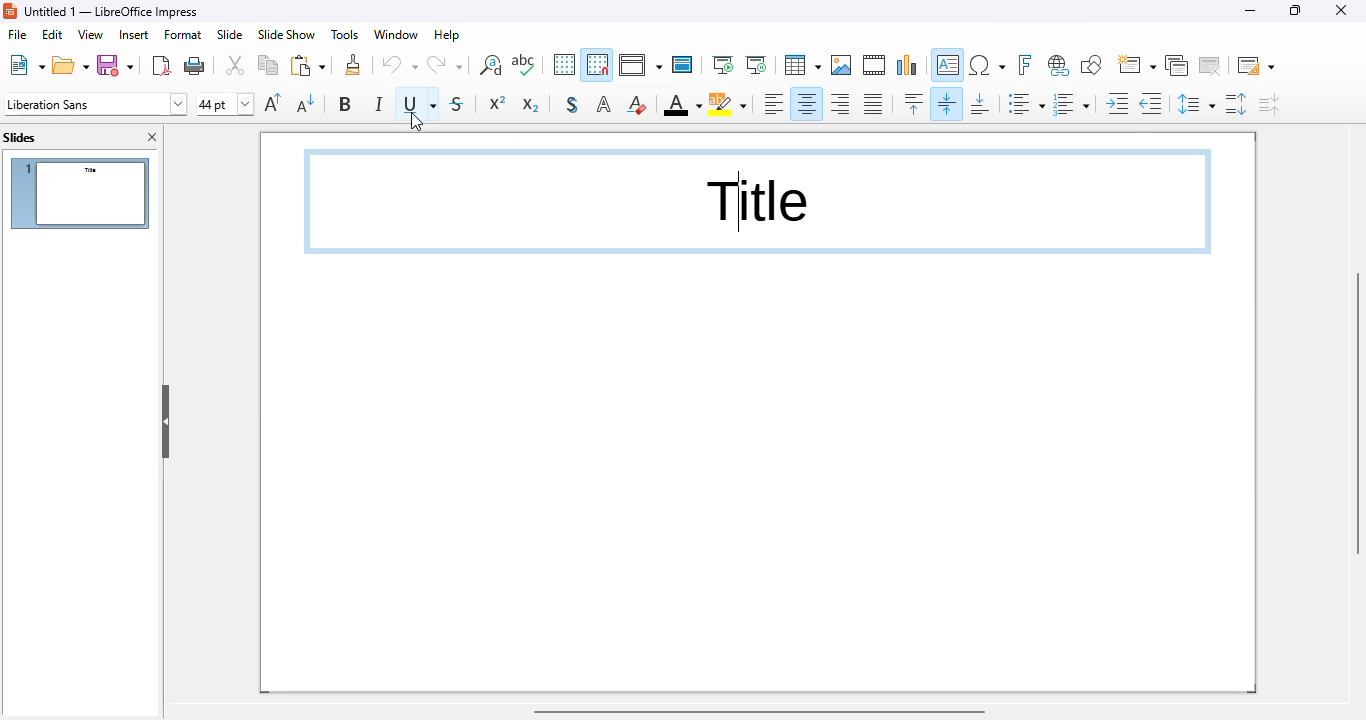  I want to click on insert audio or video, so click(876, 65).